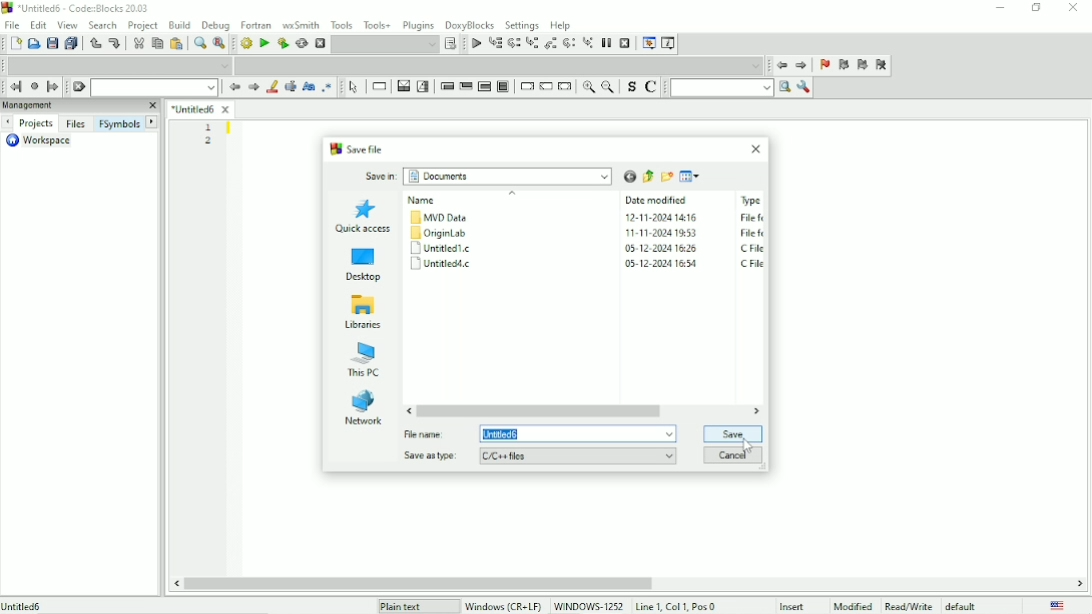 The image size is (1092, 614). I want to click on Next bookmark, so click(863, 66).